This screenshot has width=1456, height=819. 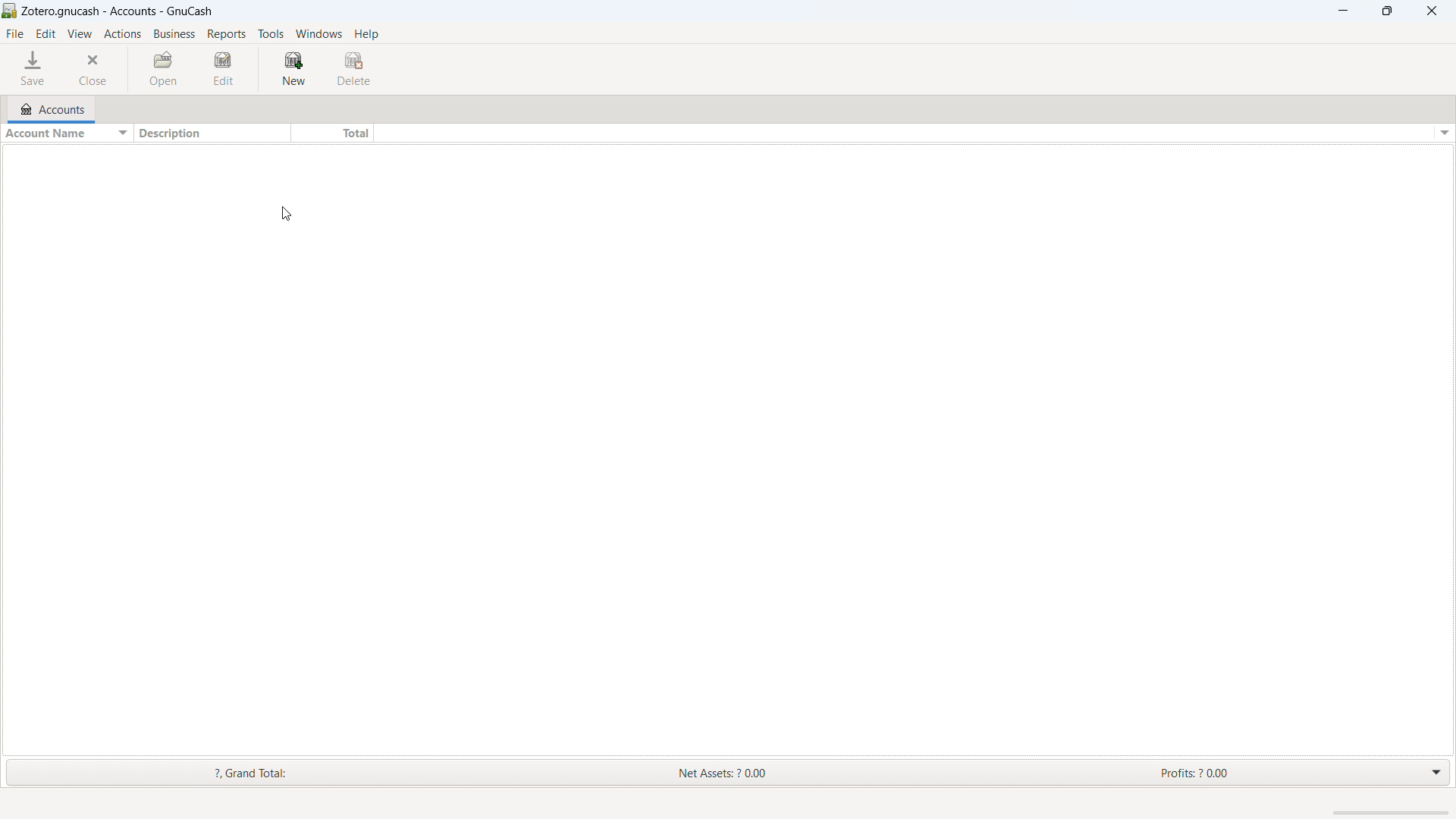 What do you see at coordinates (80, 35) in the screenshot?
I see `view` at bounding box center [80, 35].